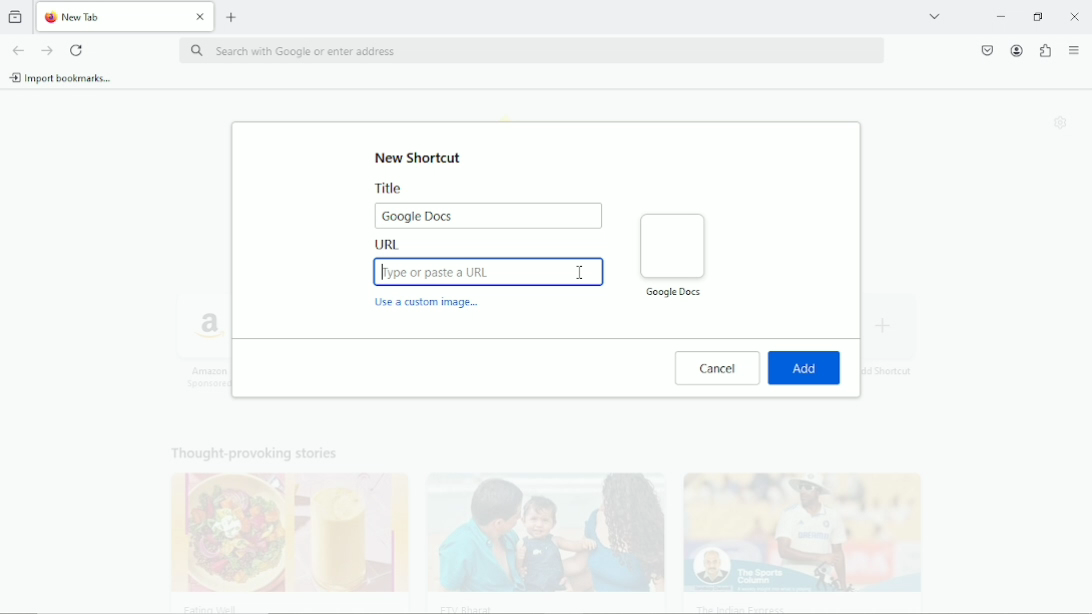  I want to click on reload current page, so click(77, 50).